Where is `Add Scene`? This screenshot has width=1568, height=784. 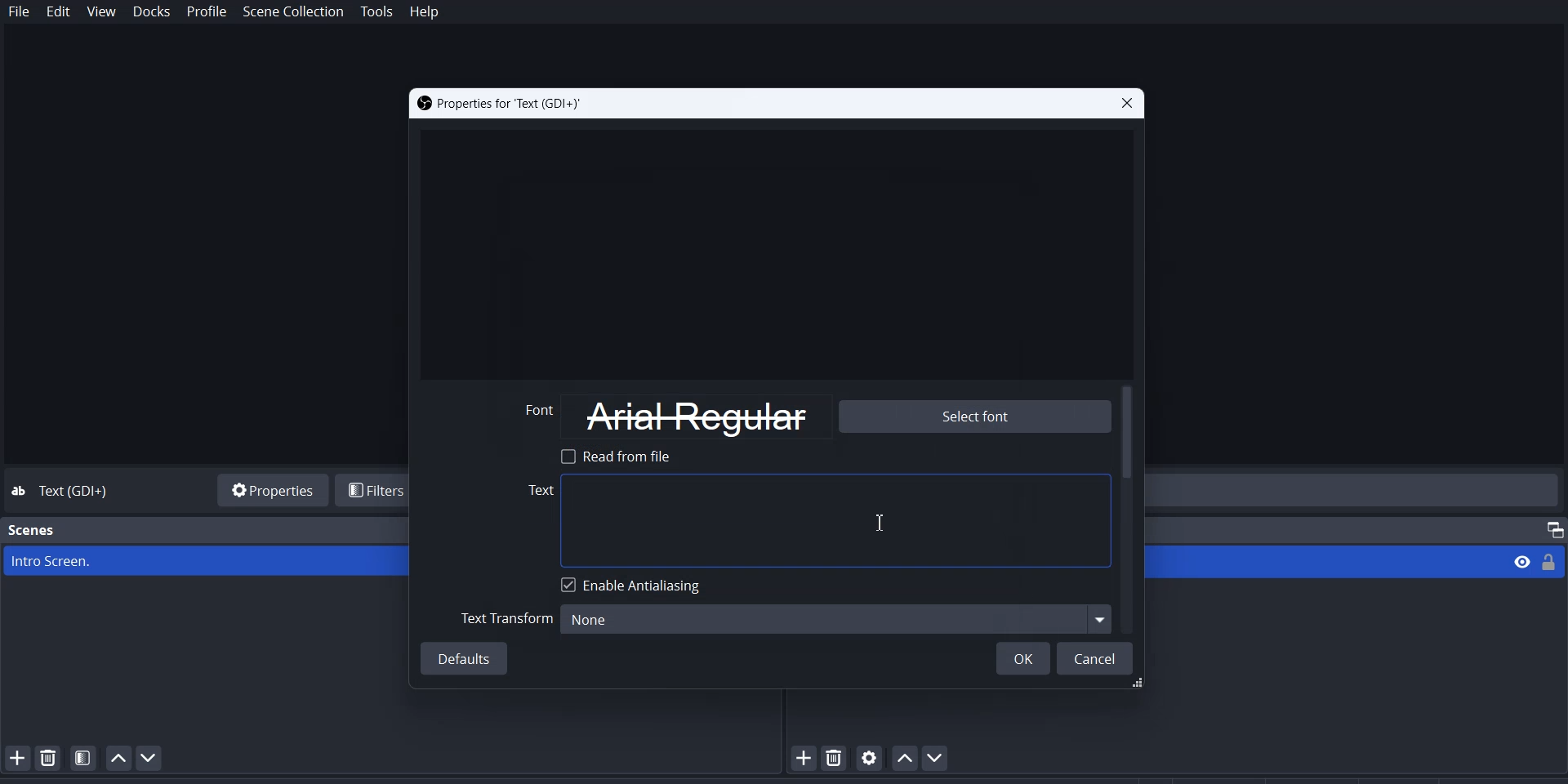
Add Scene is located at coordinates (15, 757).